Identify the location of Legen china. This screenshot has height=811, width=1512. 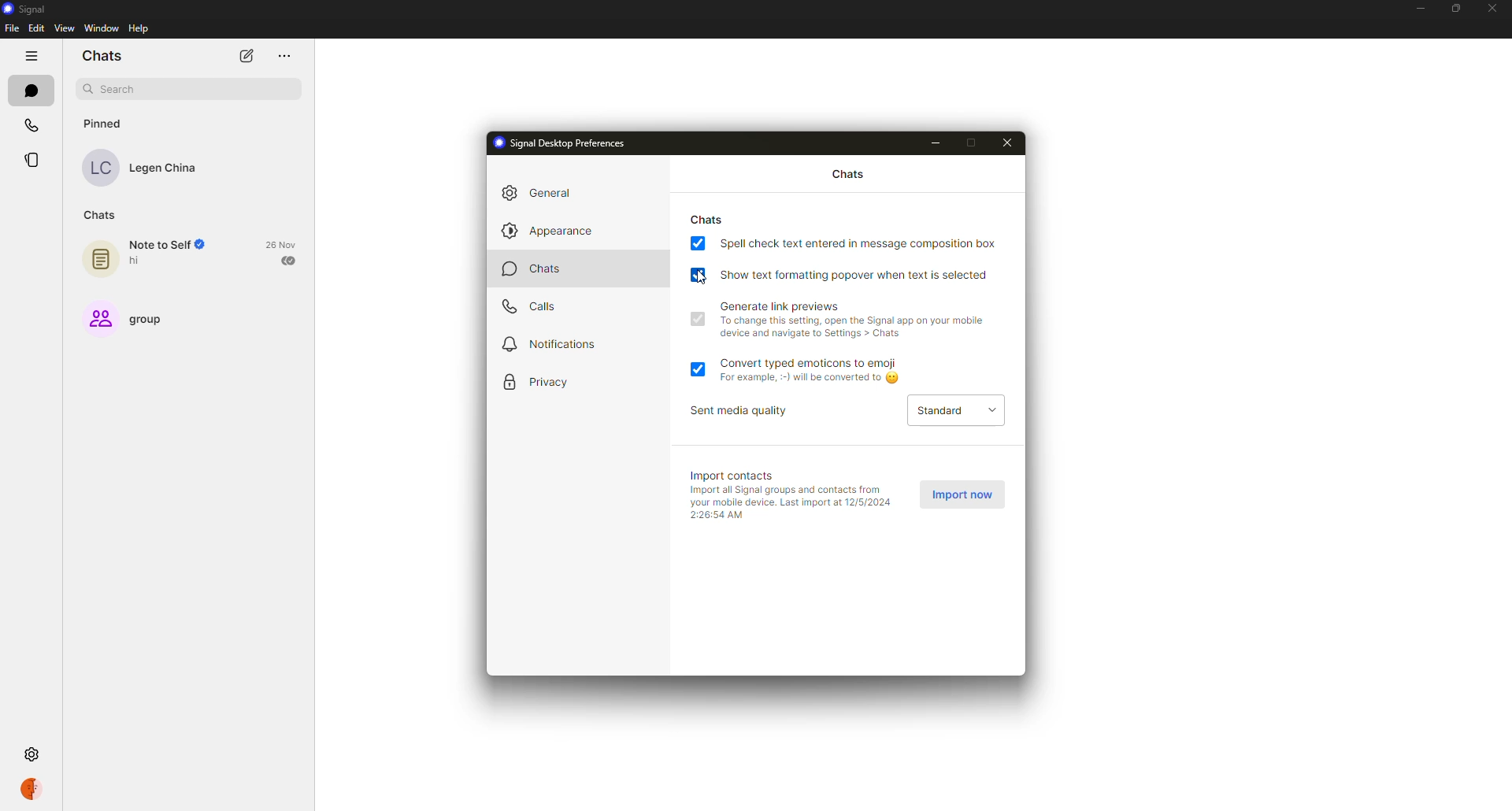
(141, 168).